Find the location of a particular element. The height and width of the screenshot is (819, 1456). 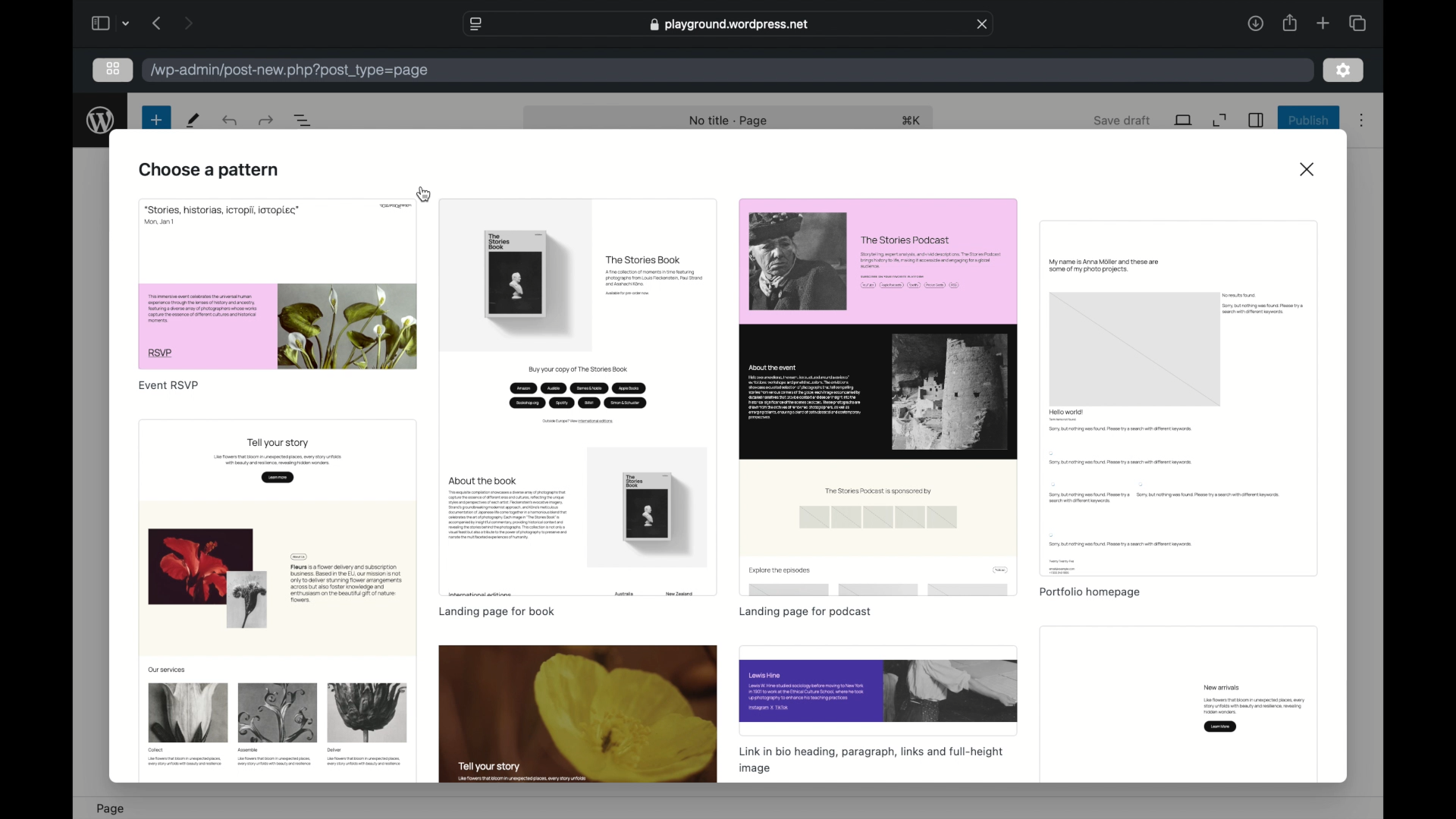

show tab overview is located at coordinates (1357, 22).